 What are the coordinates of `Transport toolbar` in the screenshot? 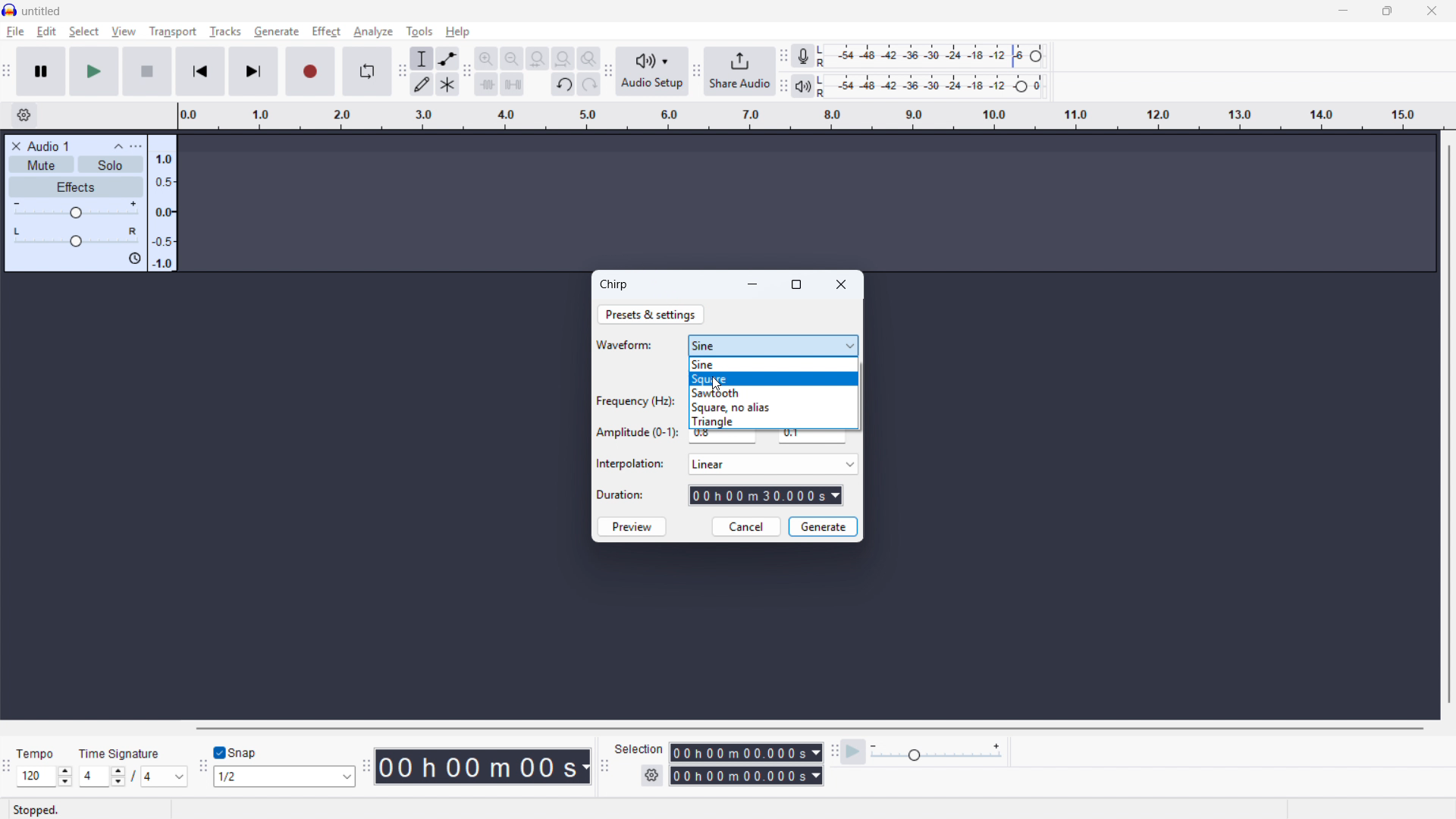 It's located at (7, 71).